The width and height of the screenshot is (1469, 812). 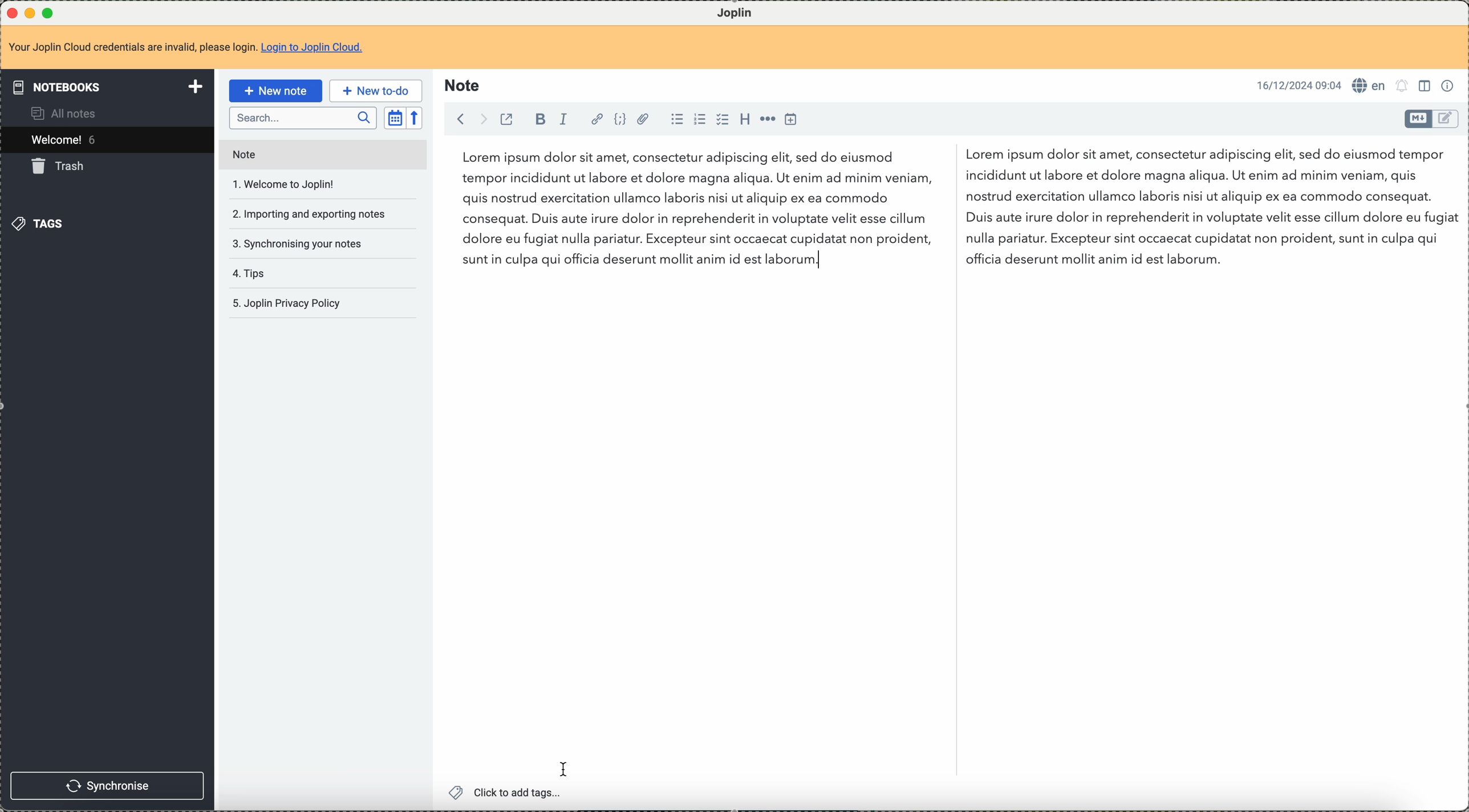 What do you see at coordinates (562, 767) in the screenshot?
I see `cursor` at bounding box center [562, 767].